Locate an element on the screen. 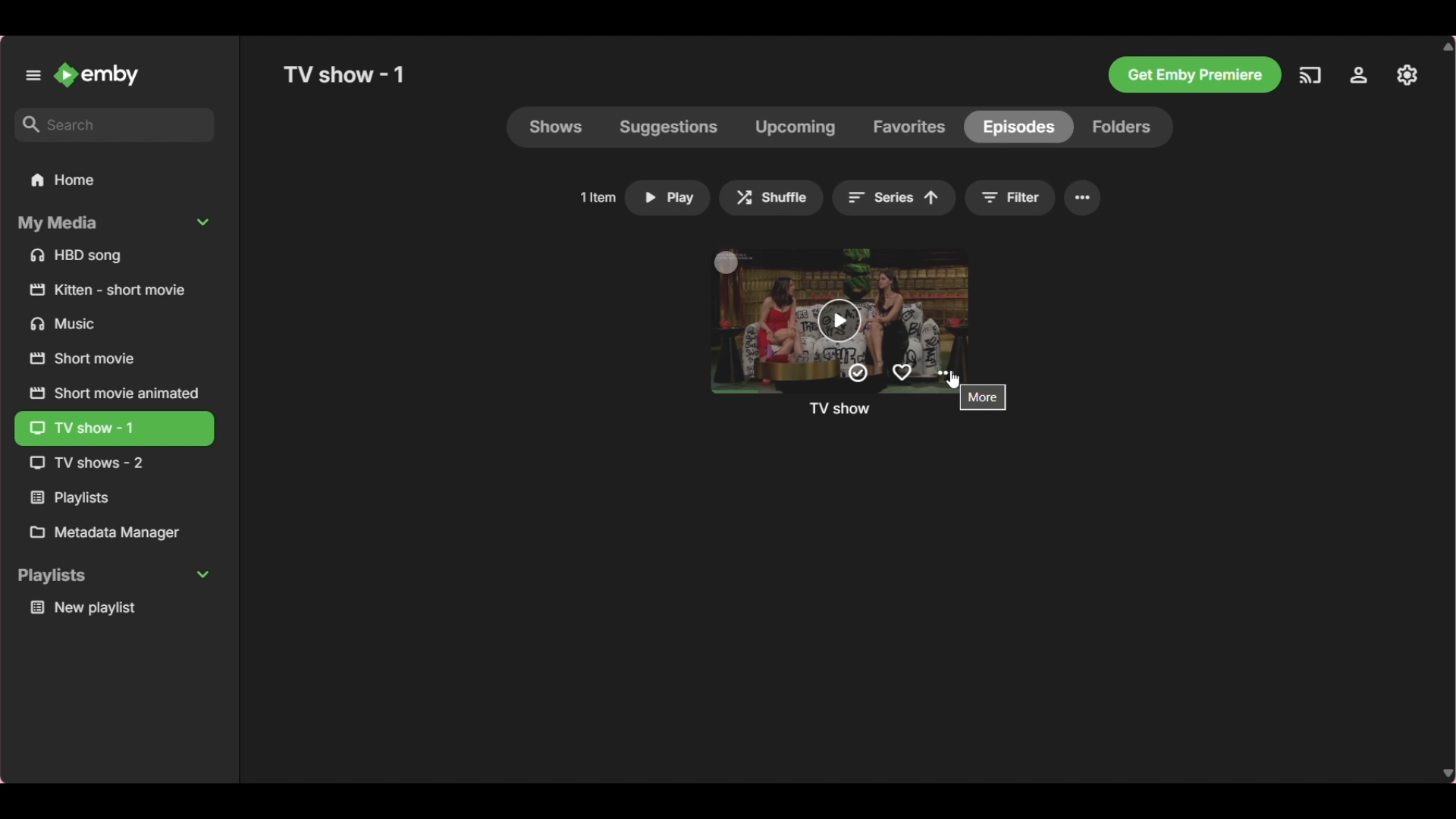 This screenshot has width=1456, height=819. Folders is located at coordinates (1123, 127).